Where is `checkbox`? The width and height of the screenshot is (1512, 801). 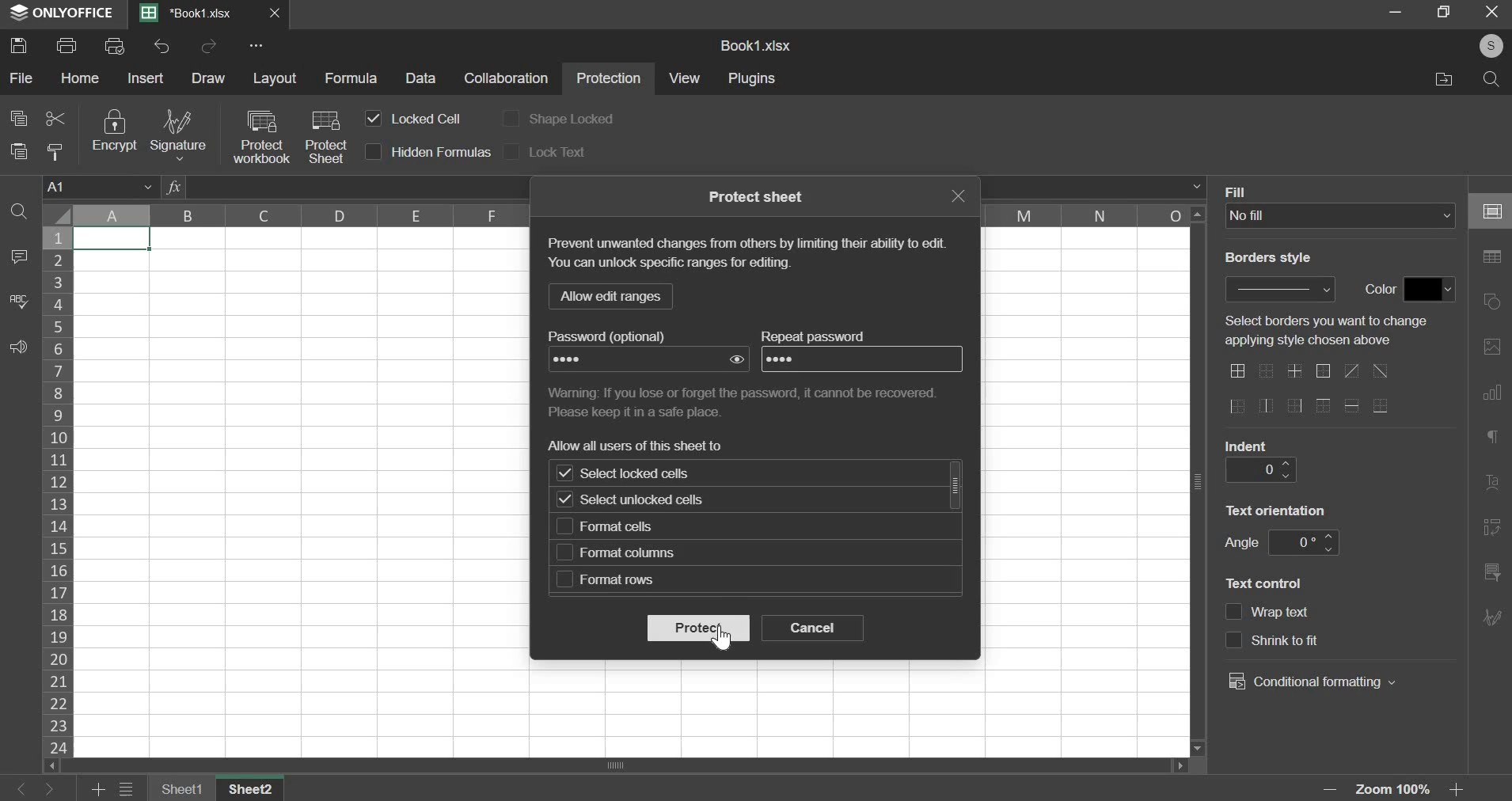
checkbox is located at coordinates (374, 119).